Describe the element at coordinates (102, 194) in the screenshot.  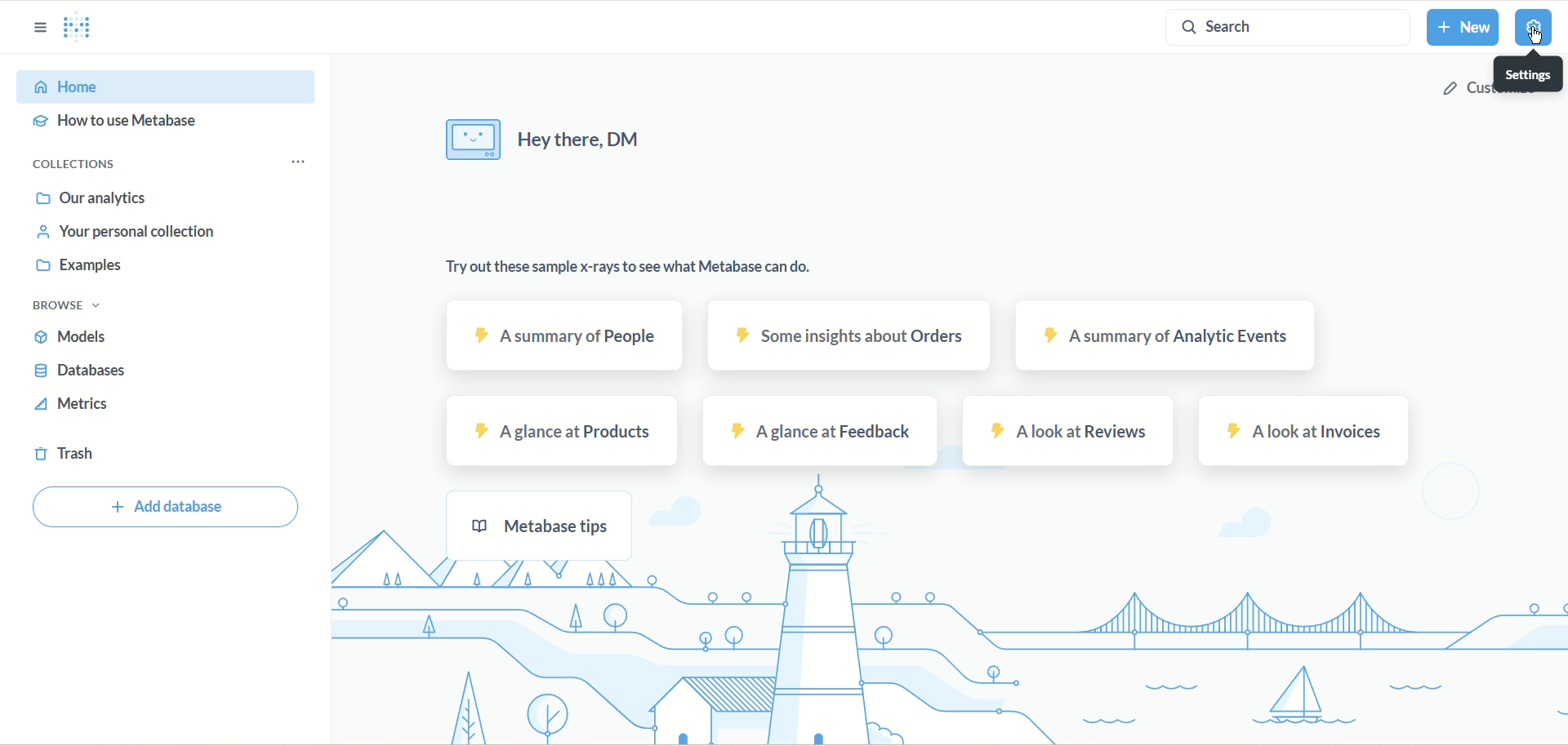
I see `Our analytics` at that location.